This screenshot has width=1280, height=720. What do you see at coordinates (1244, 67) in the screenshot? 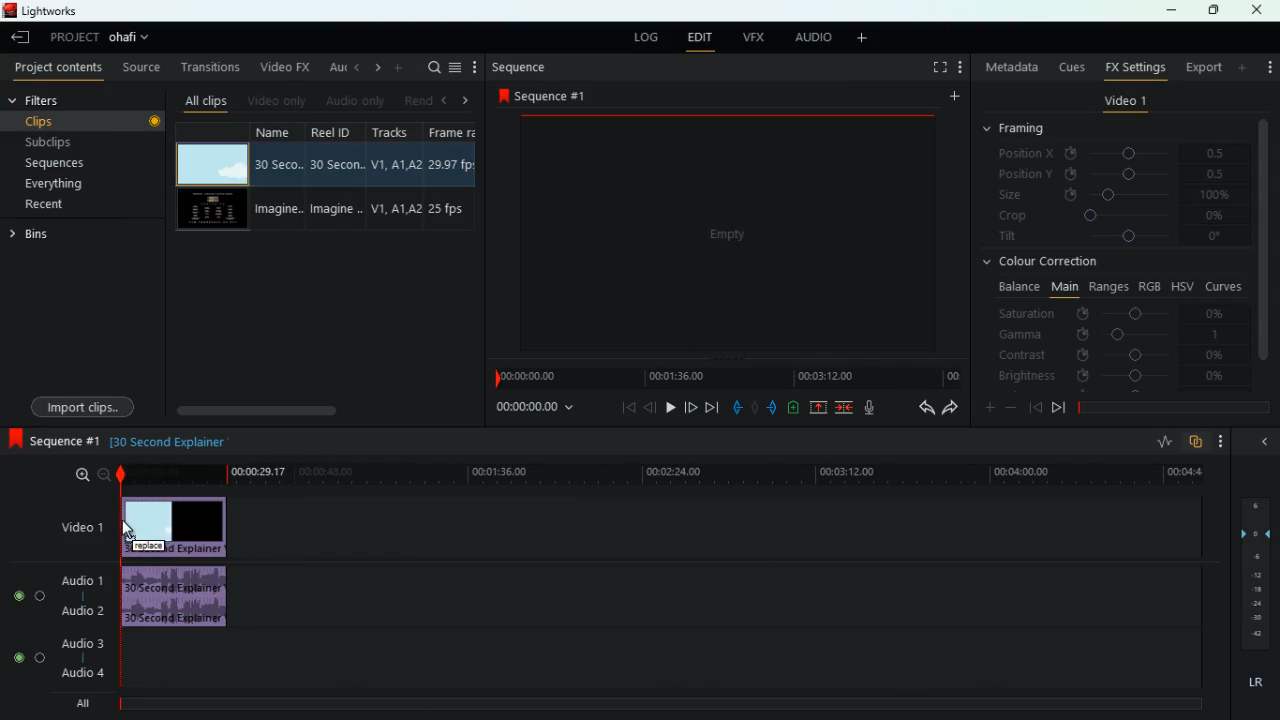
I see `more` at bounding box center [1244, 67].